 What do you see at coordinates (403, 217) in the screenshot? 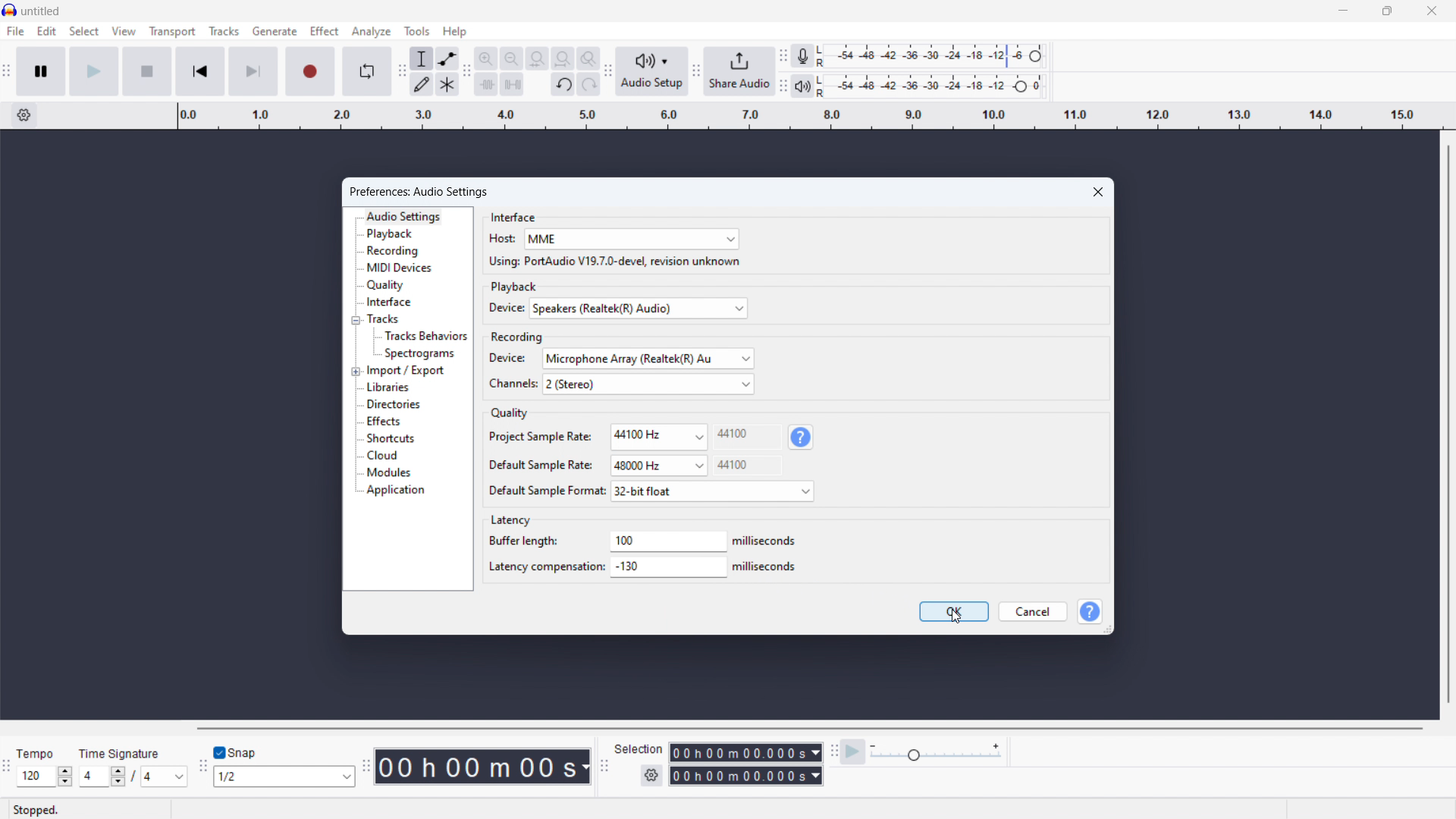
I see `audio settings` at bounding box center [403, 217].